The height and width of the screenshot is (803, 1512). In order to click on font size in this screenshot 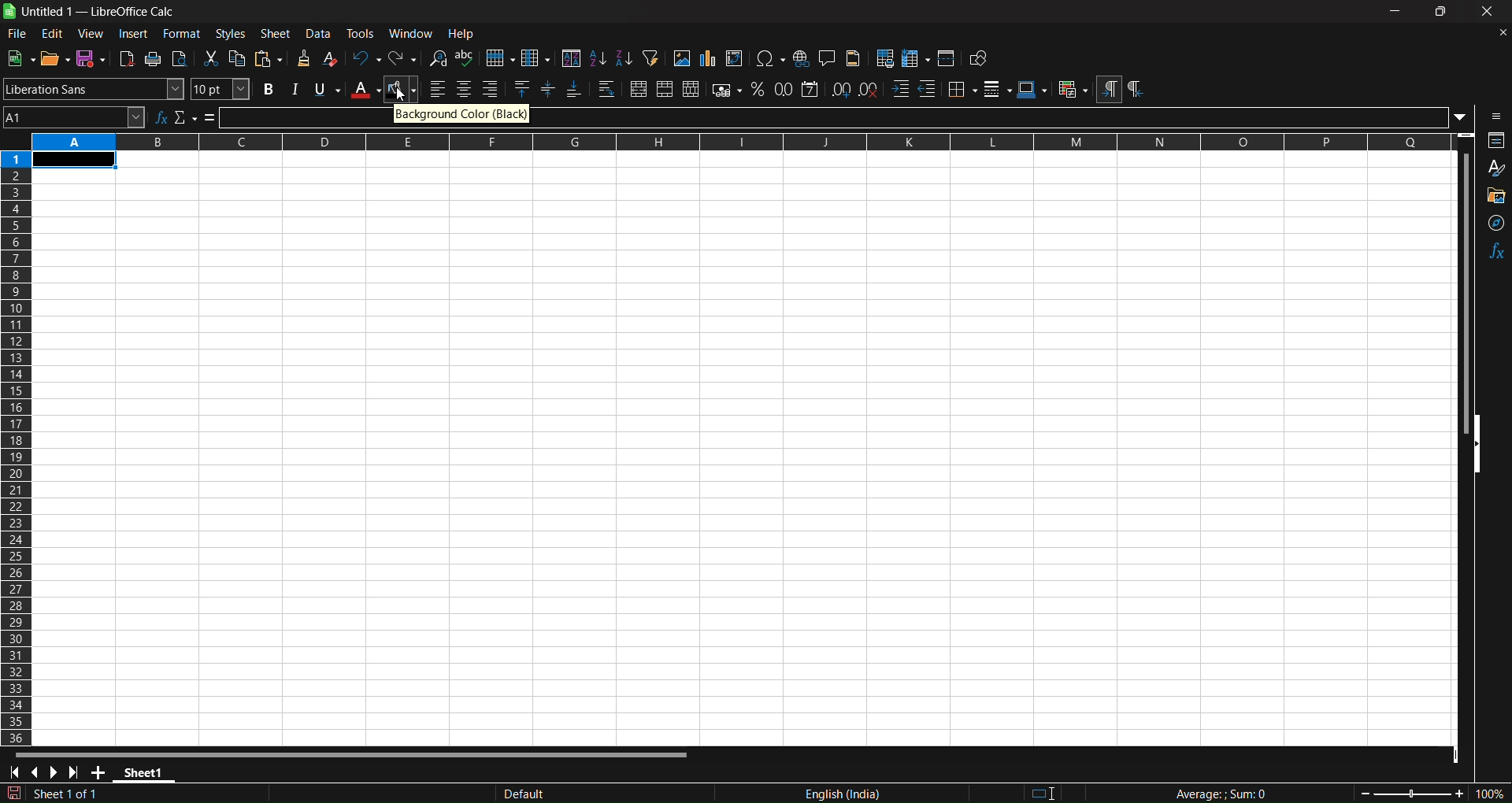, I will do `click(220, 89)`.